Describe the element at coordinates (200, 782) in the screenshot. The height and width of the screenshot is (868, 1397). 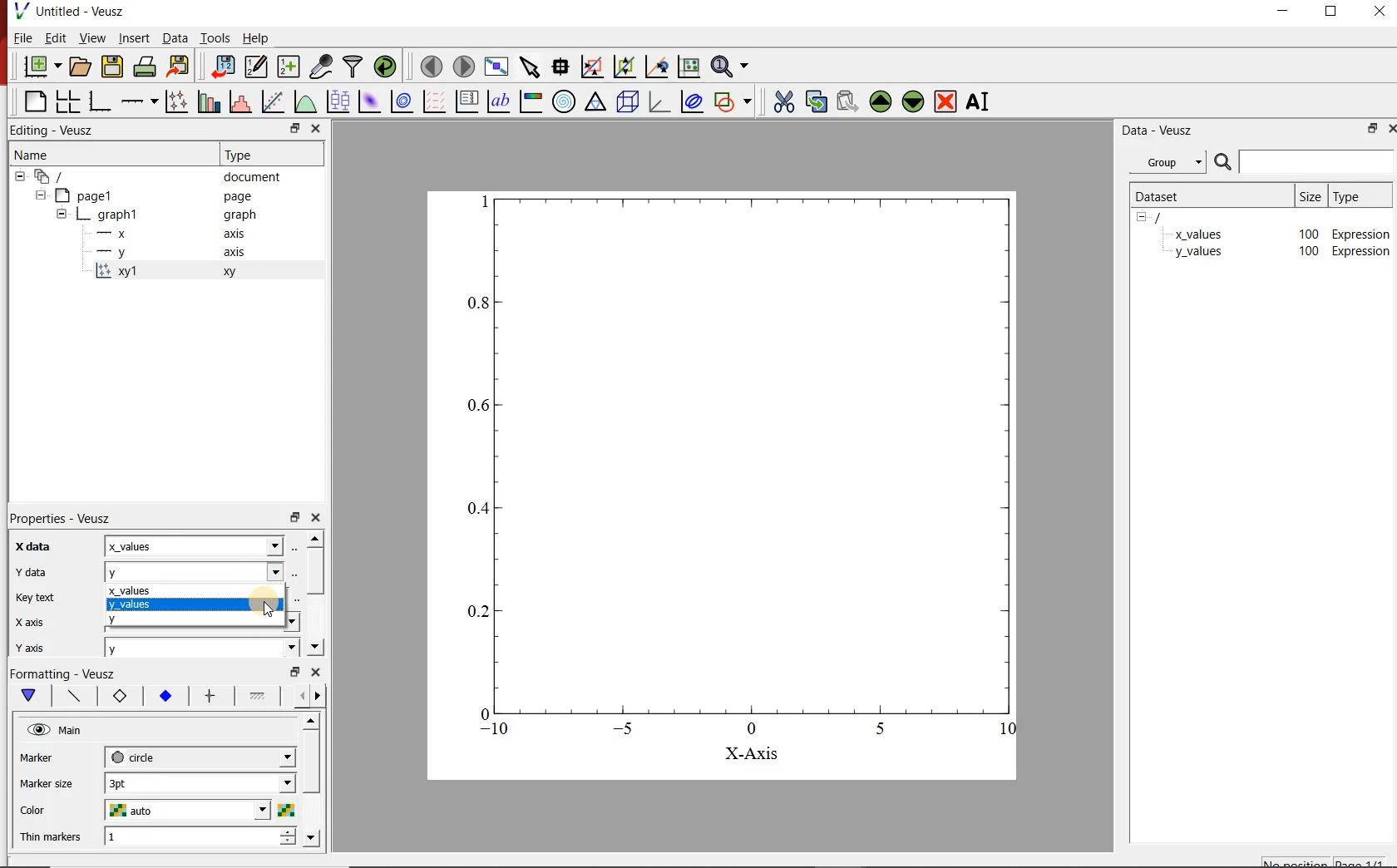
I see `3pt` at that location.